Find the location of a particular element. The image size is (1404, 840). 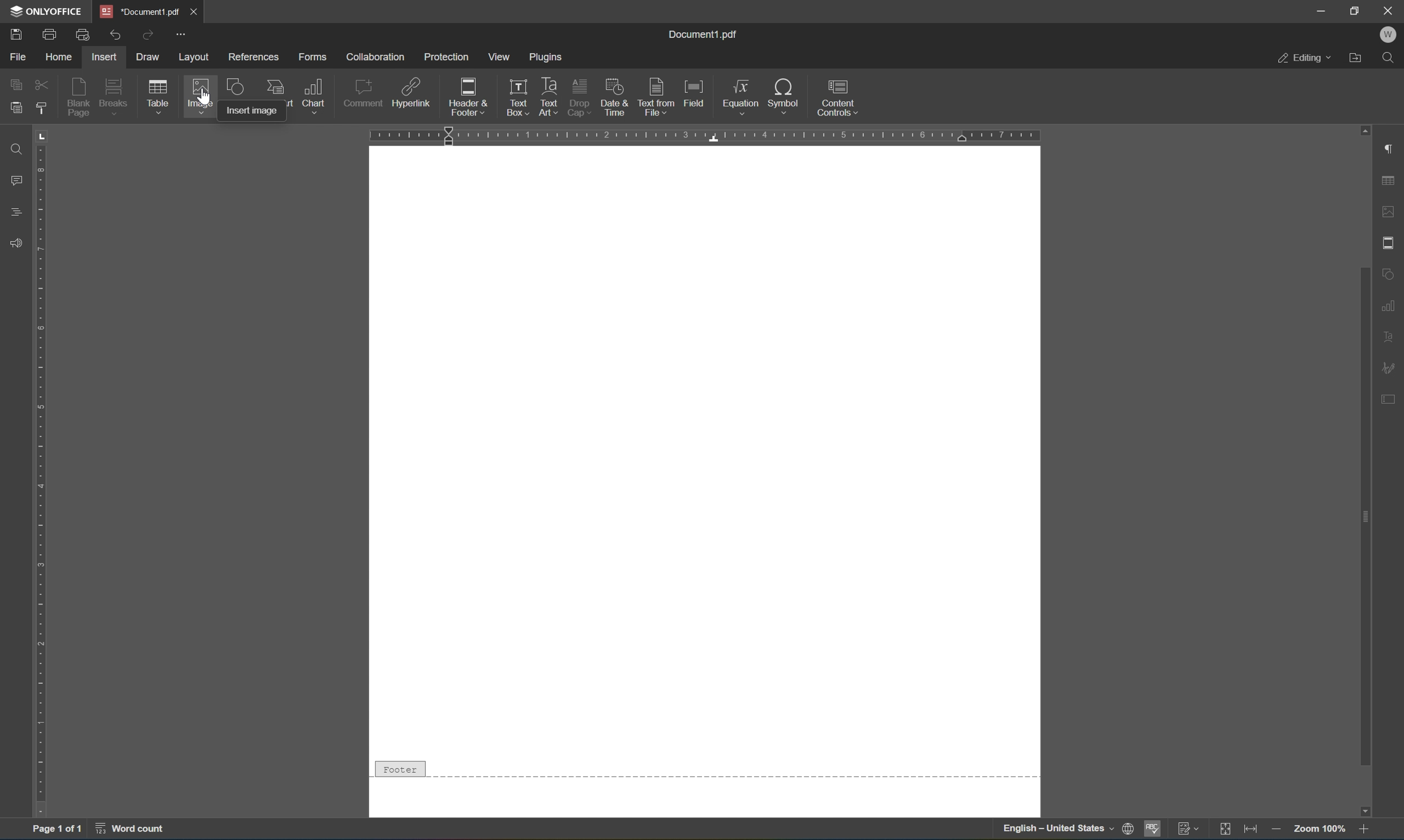

quick print is located at coordinates (83, 36).